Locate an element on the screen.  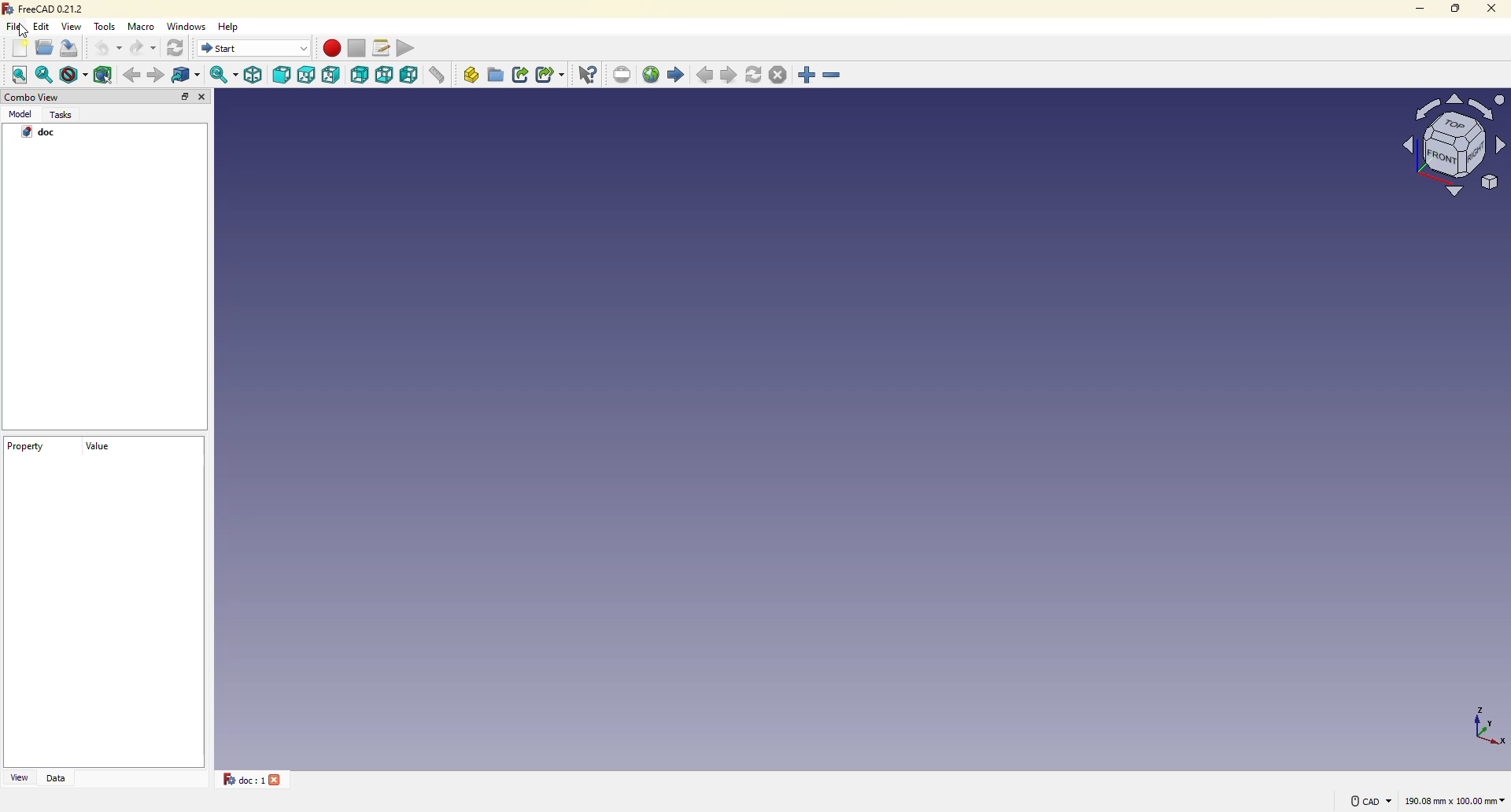
doc is located at coordinates (40, 133).